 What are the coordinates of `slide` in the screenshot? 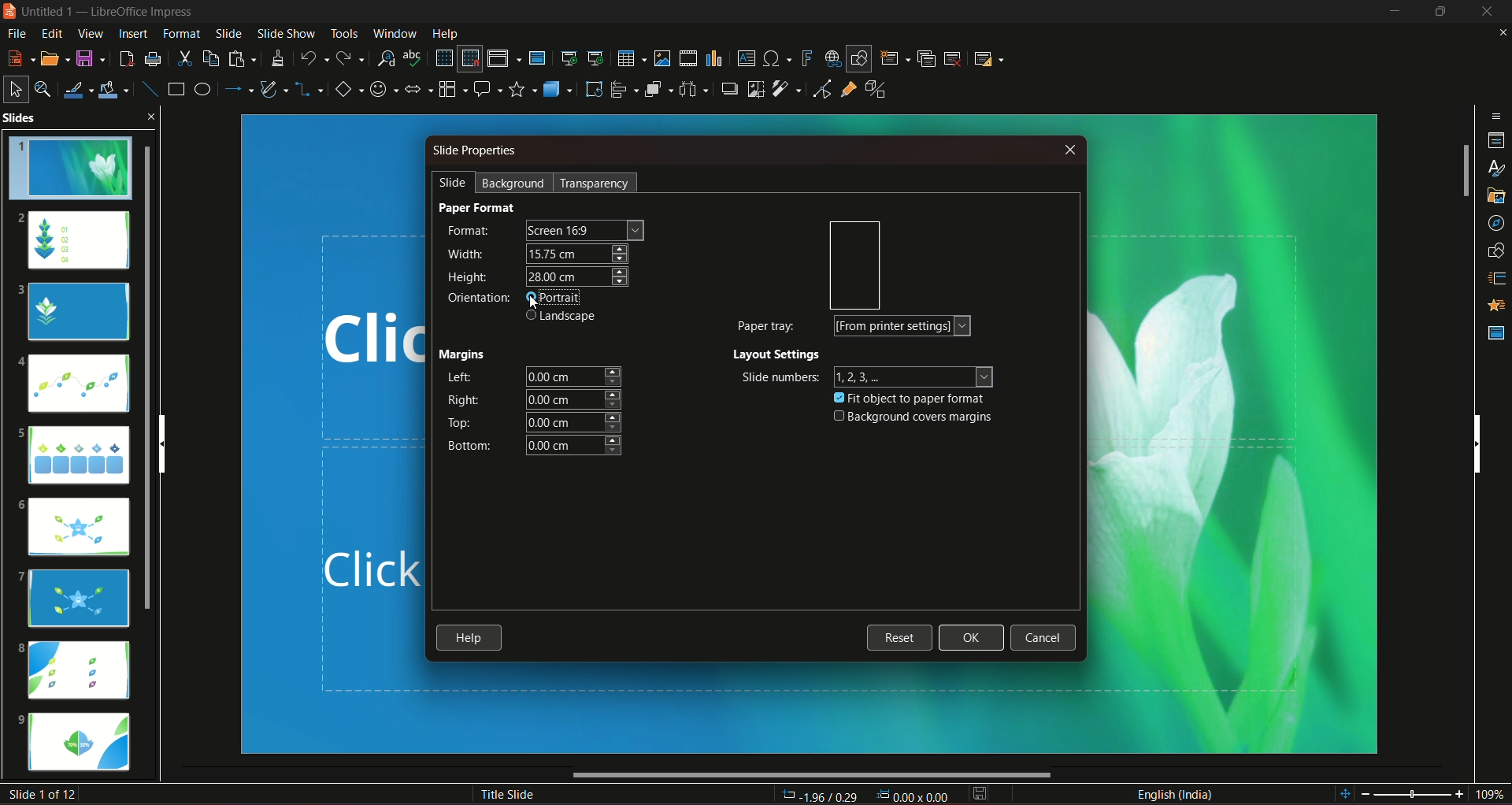 It's located at (448, 183).